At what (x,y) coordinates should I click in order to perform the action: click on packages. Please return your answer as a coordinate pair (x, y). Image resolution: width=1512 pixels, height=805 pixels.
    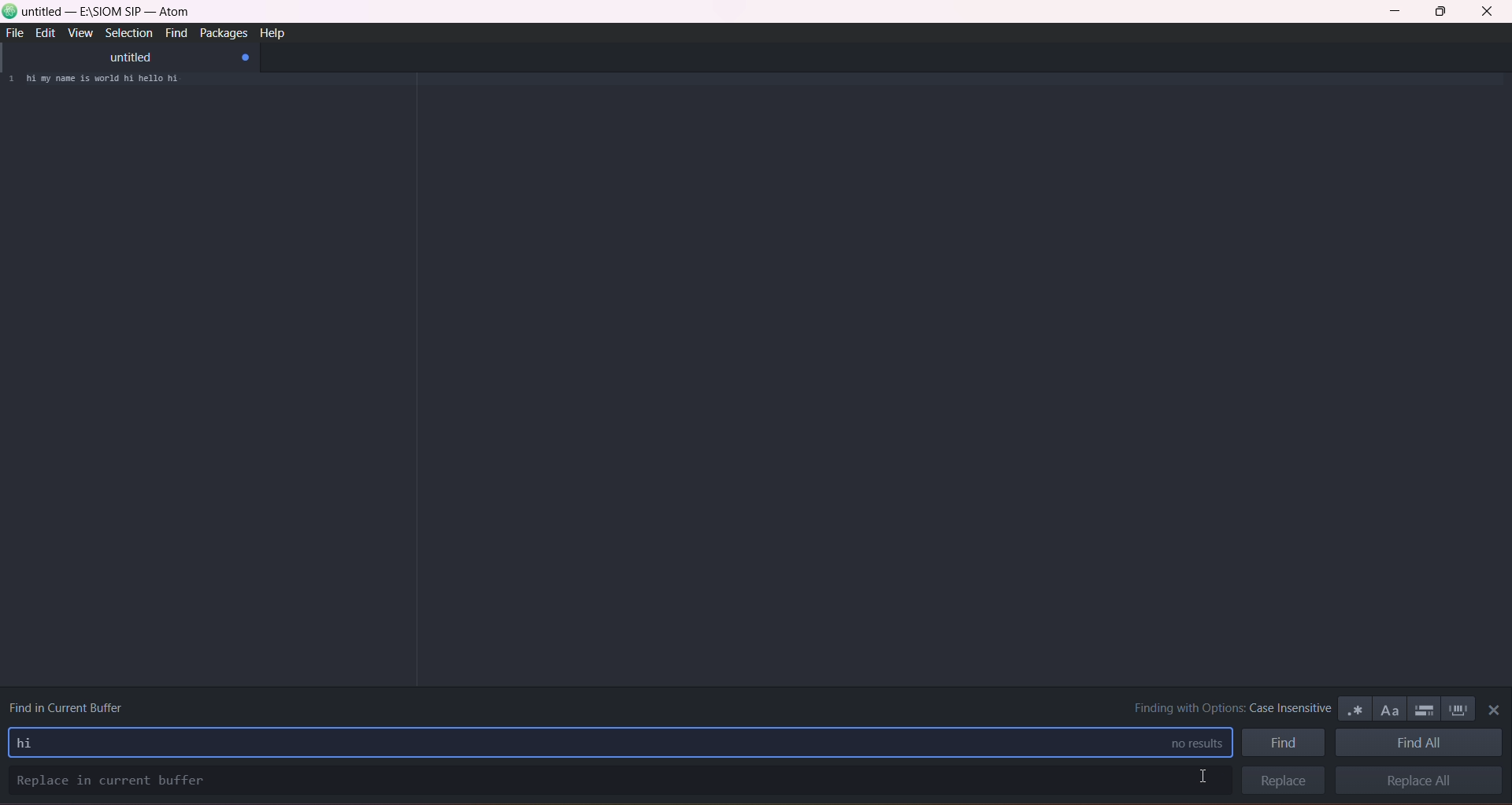
    Looking at the image, I should click on (220, 34).